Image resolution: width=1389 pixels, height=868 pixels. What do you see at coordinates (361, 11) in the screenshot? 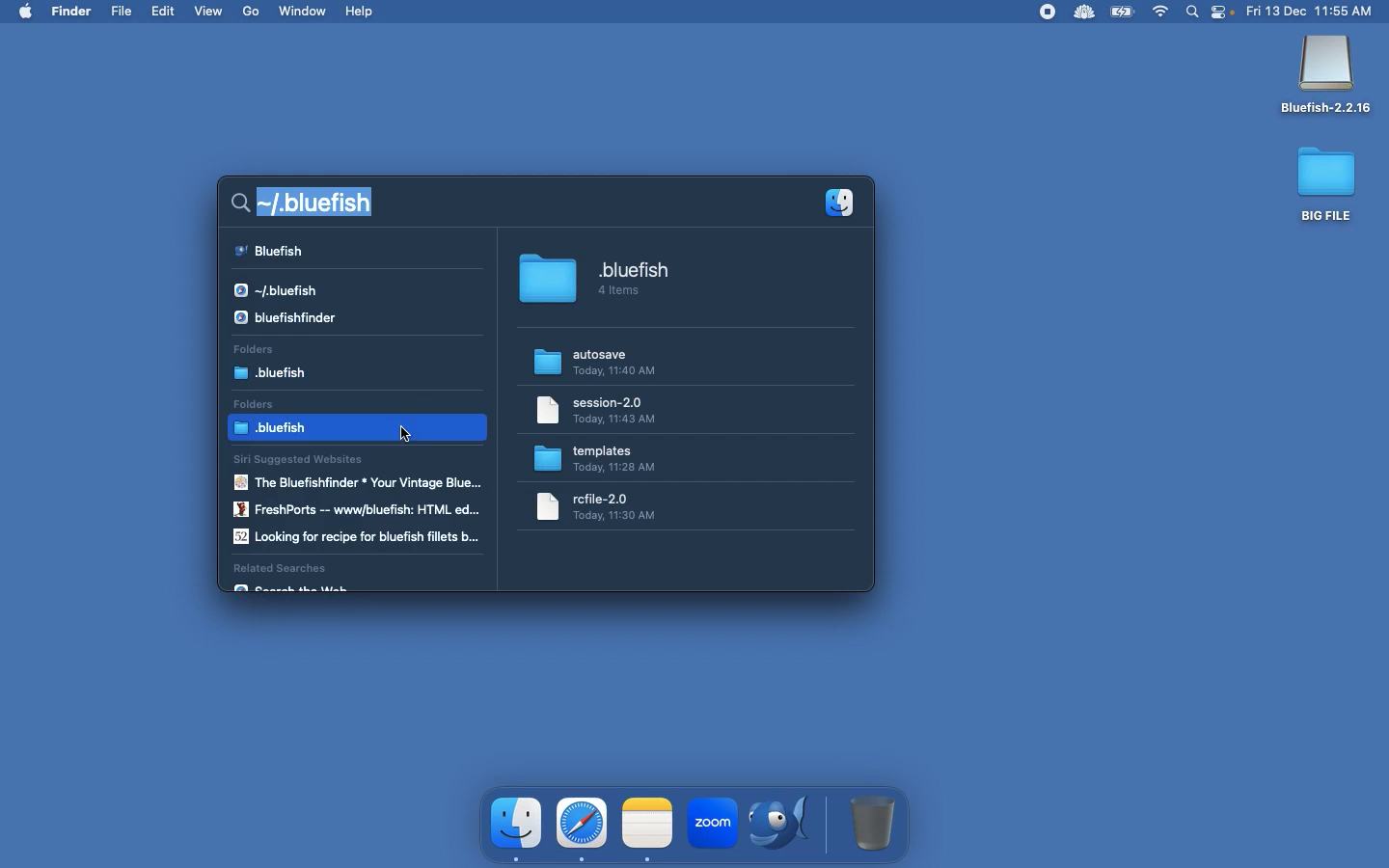
I see `Help` at bounding box center [361, 11].